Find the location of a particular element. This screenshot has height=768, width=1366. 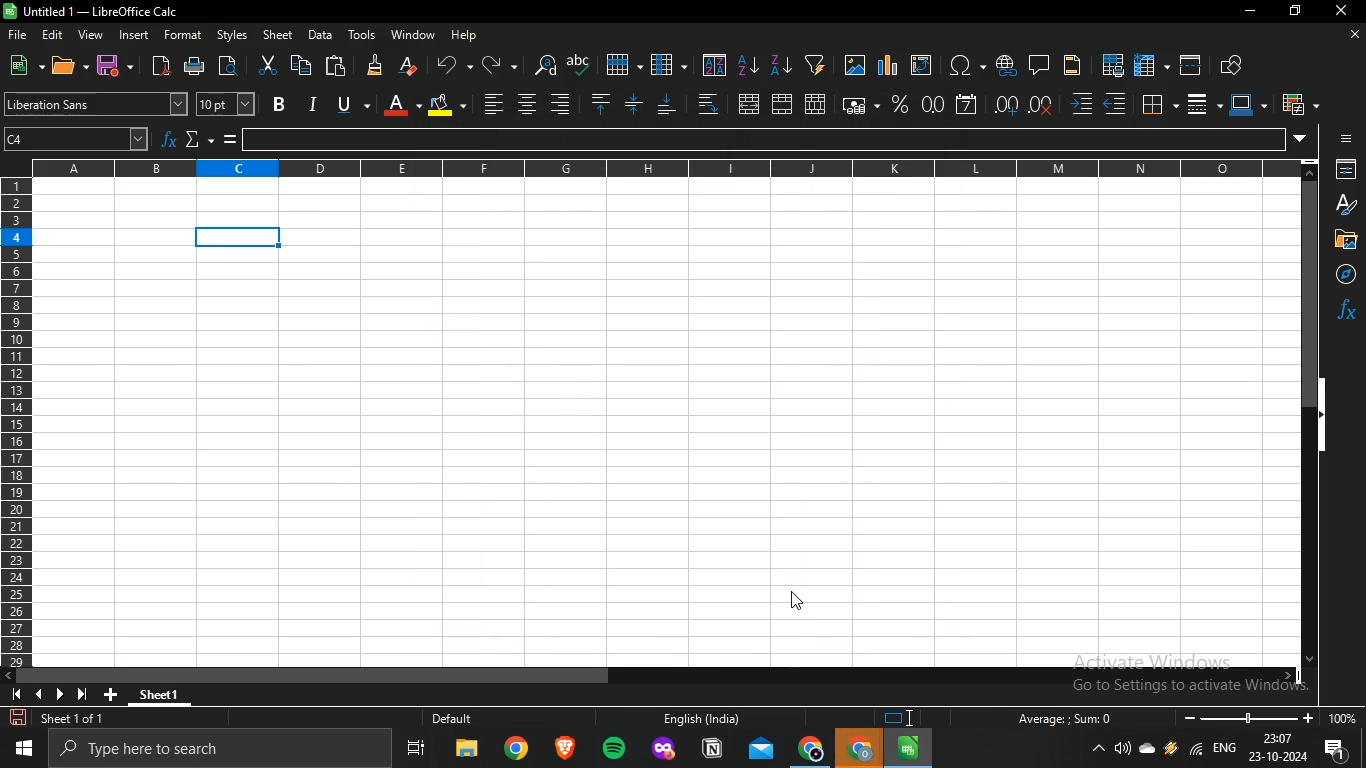

volume is located at coordinates (1123, 749).